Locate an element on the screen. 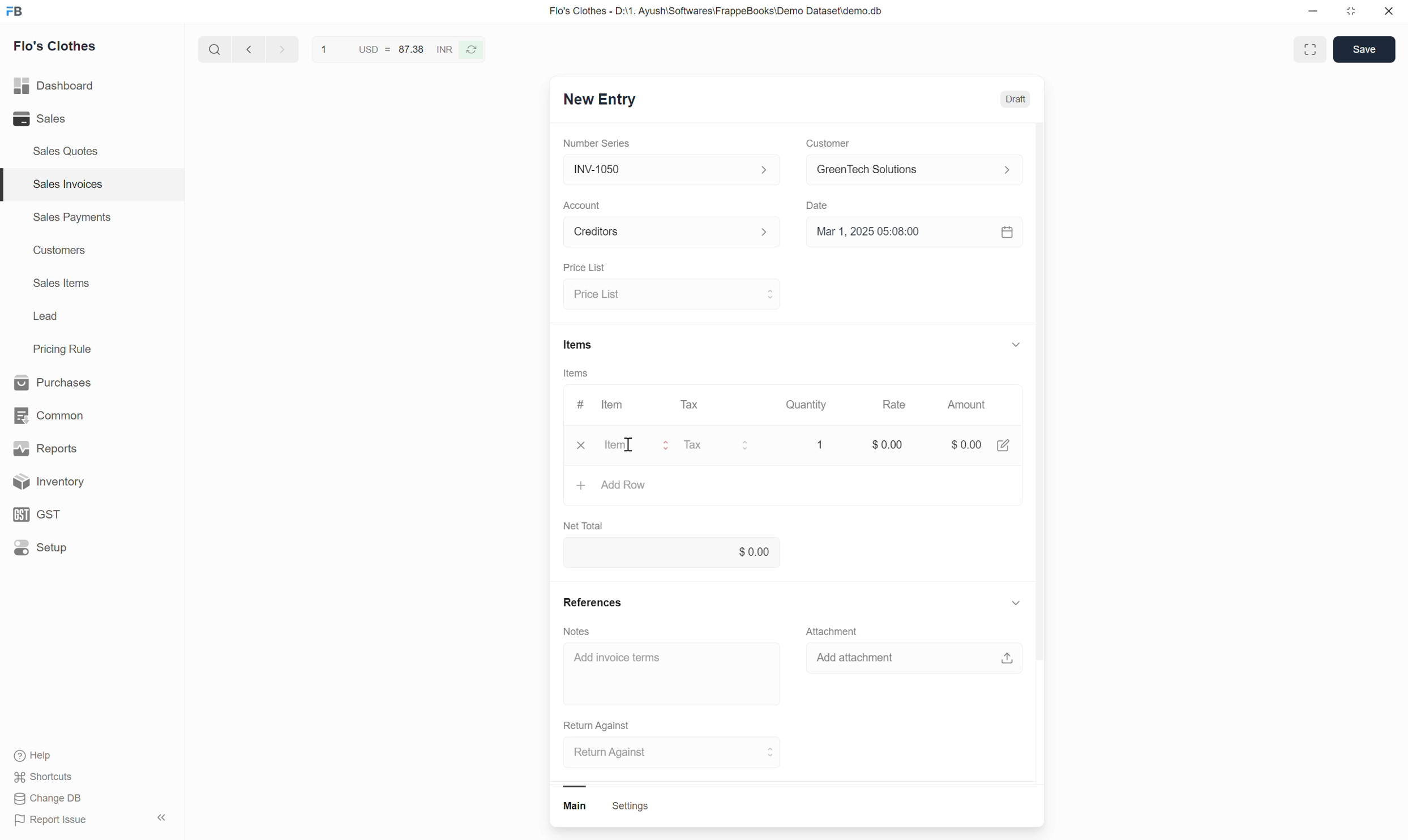 The height and width of the screenshot is (840, 1408). Flo's Clothes is located at coordinates (61, 48).